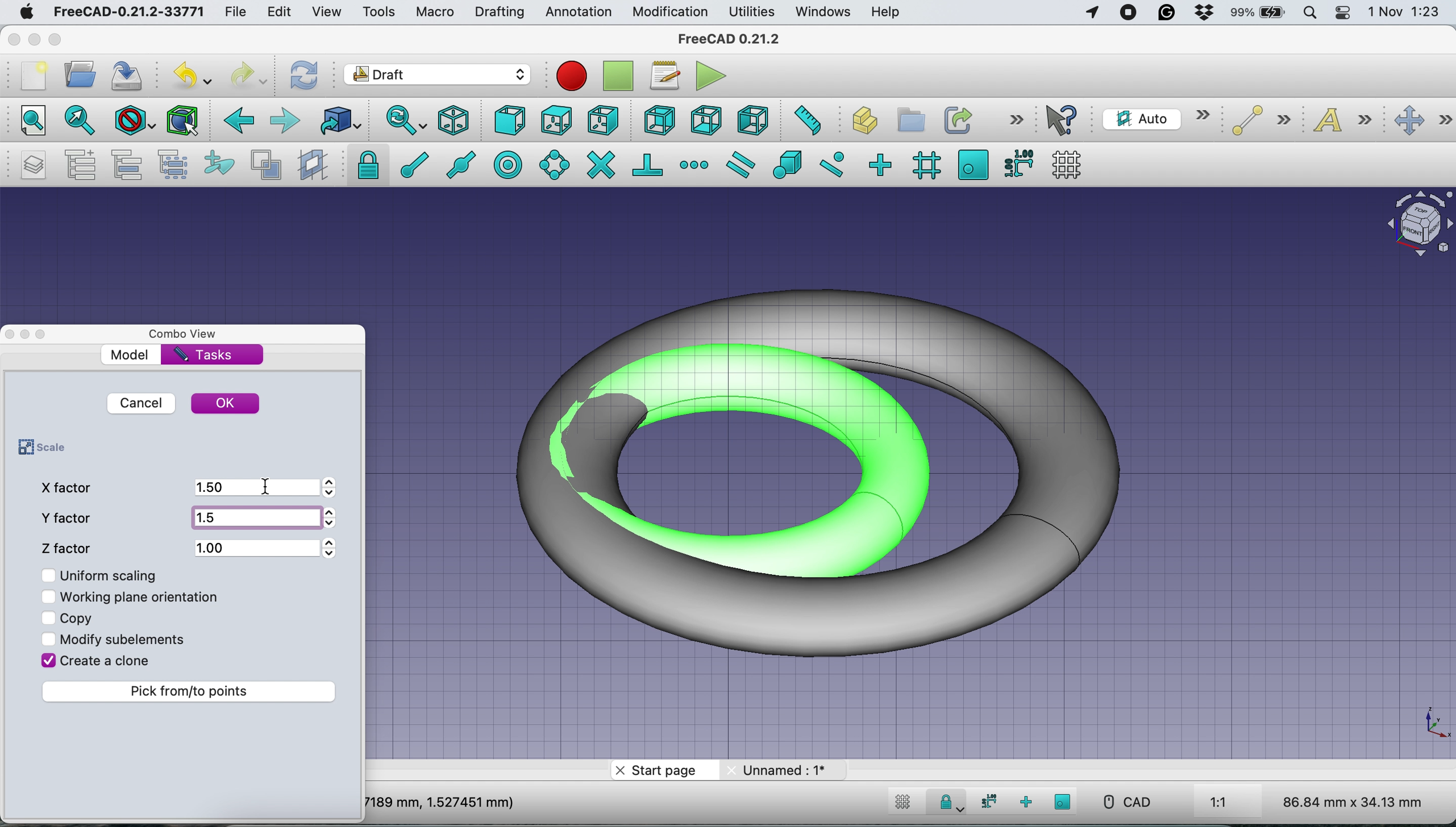 Image resolution: width=1456 pixels, height=827 pixels. What do you see at coordinates (131, 354) in the screenshot?
I see `model` at bounding box center [131, 354].